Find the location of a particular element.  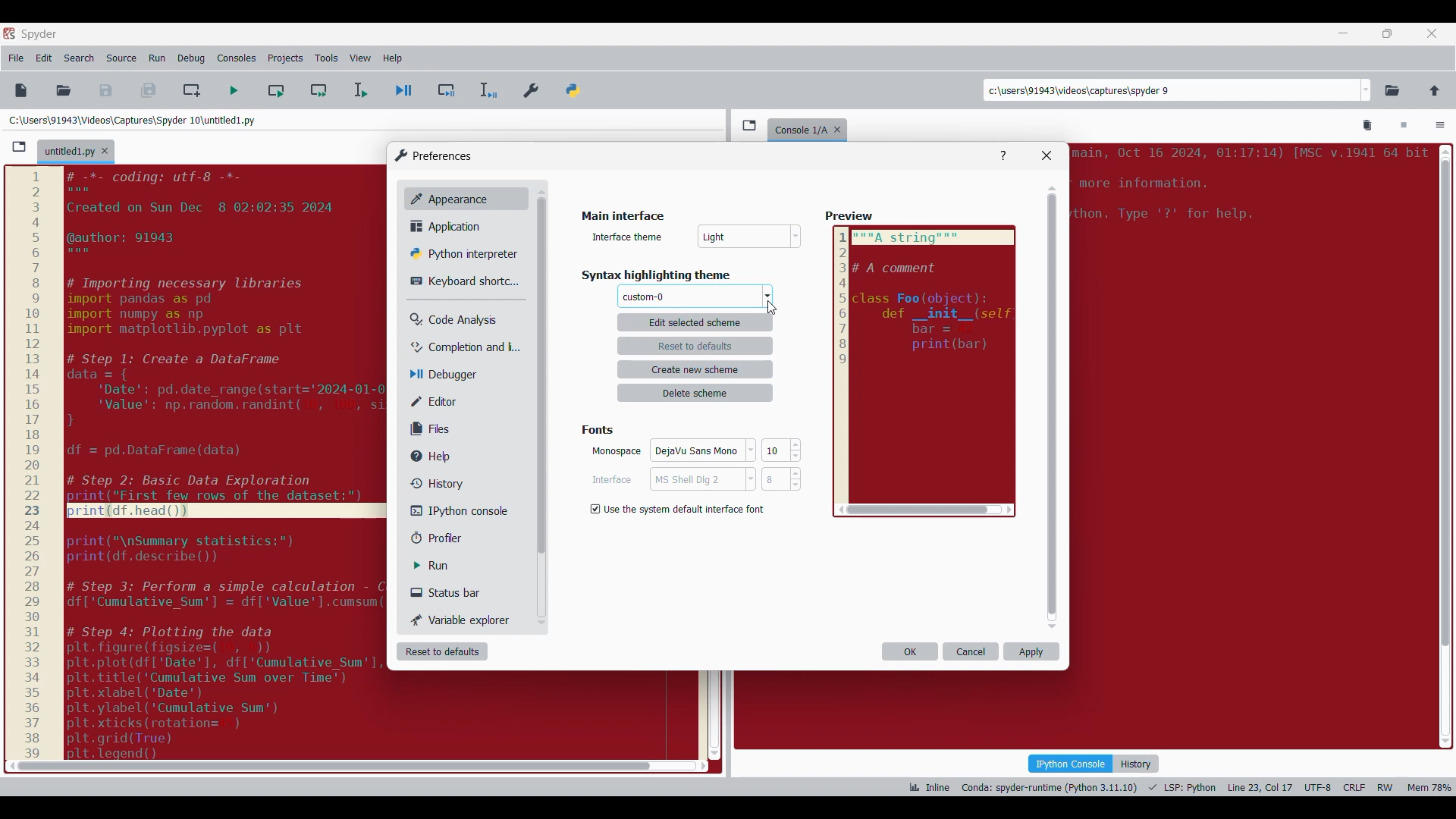

Search menu is located at coordinates (80, 58).